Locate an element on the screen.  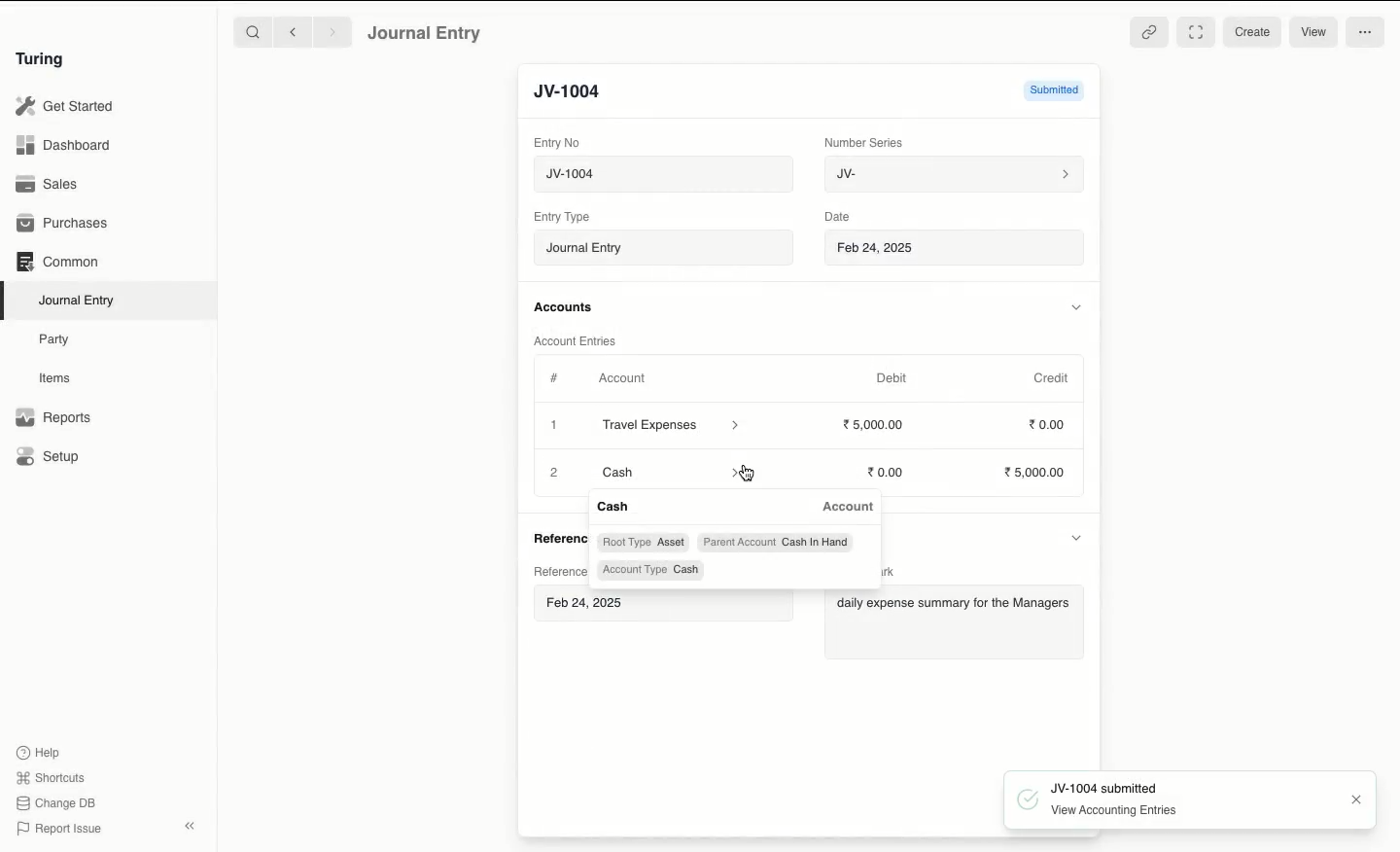
Shortcuts is located at coordinates (53, 778).